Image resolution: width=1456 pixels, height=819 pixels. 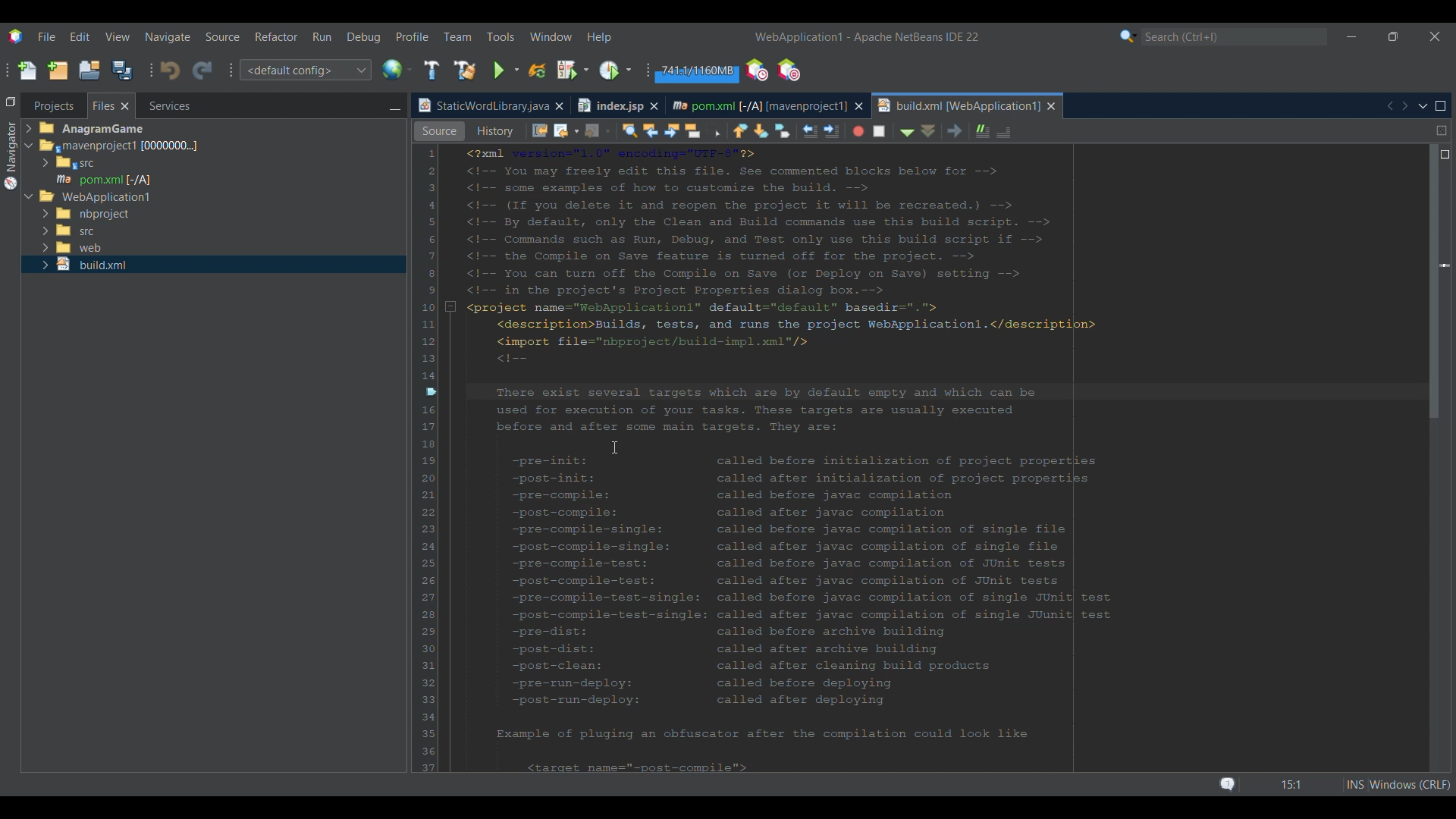 I want to click on History view, so click(x=624, y=129).